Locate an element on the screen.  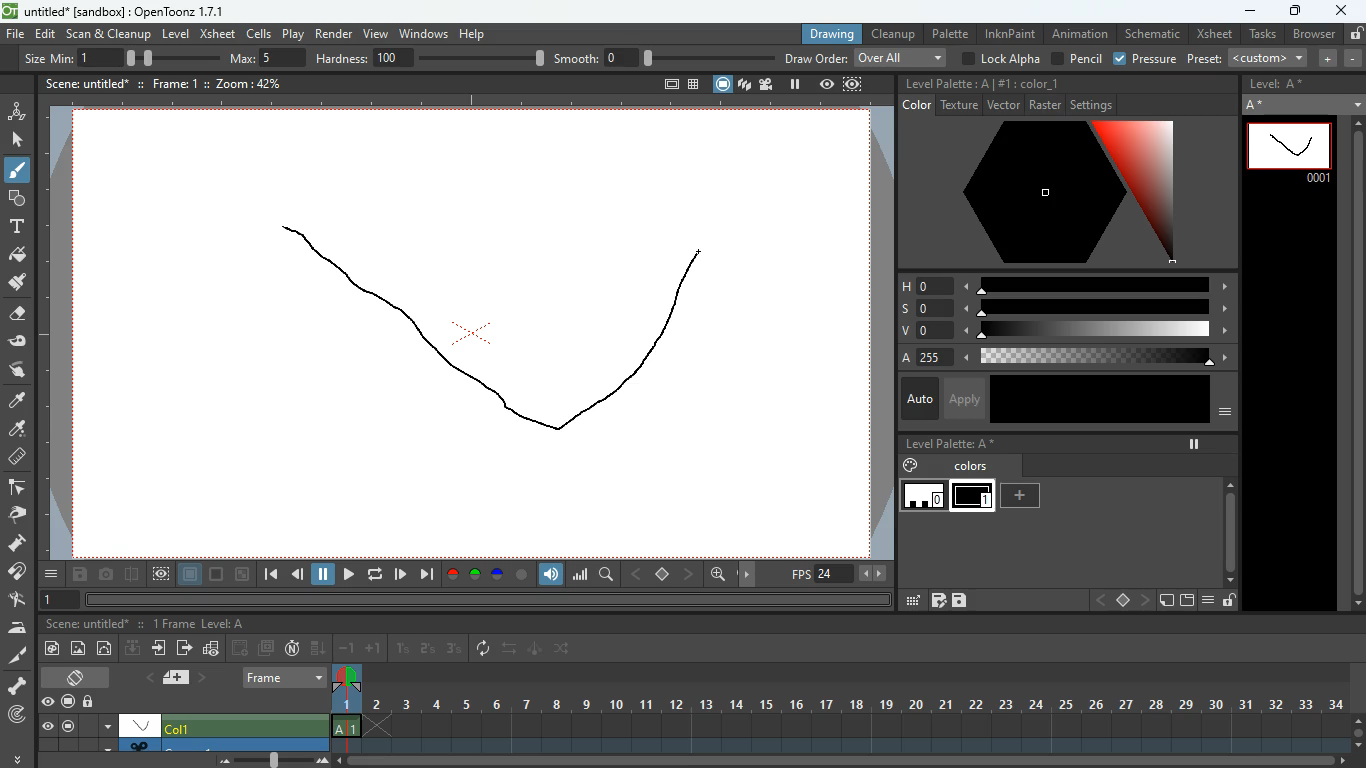
opentoonz is located at coordinates (118, 13).